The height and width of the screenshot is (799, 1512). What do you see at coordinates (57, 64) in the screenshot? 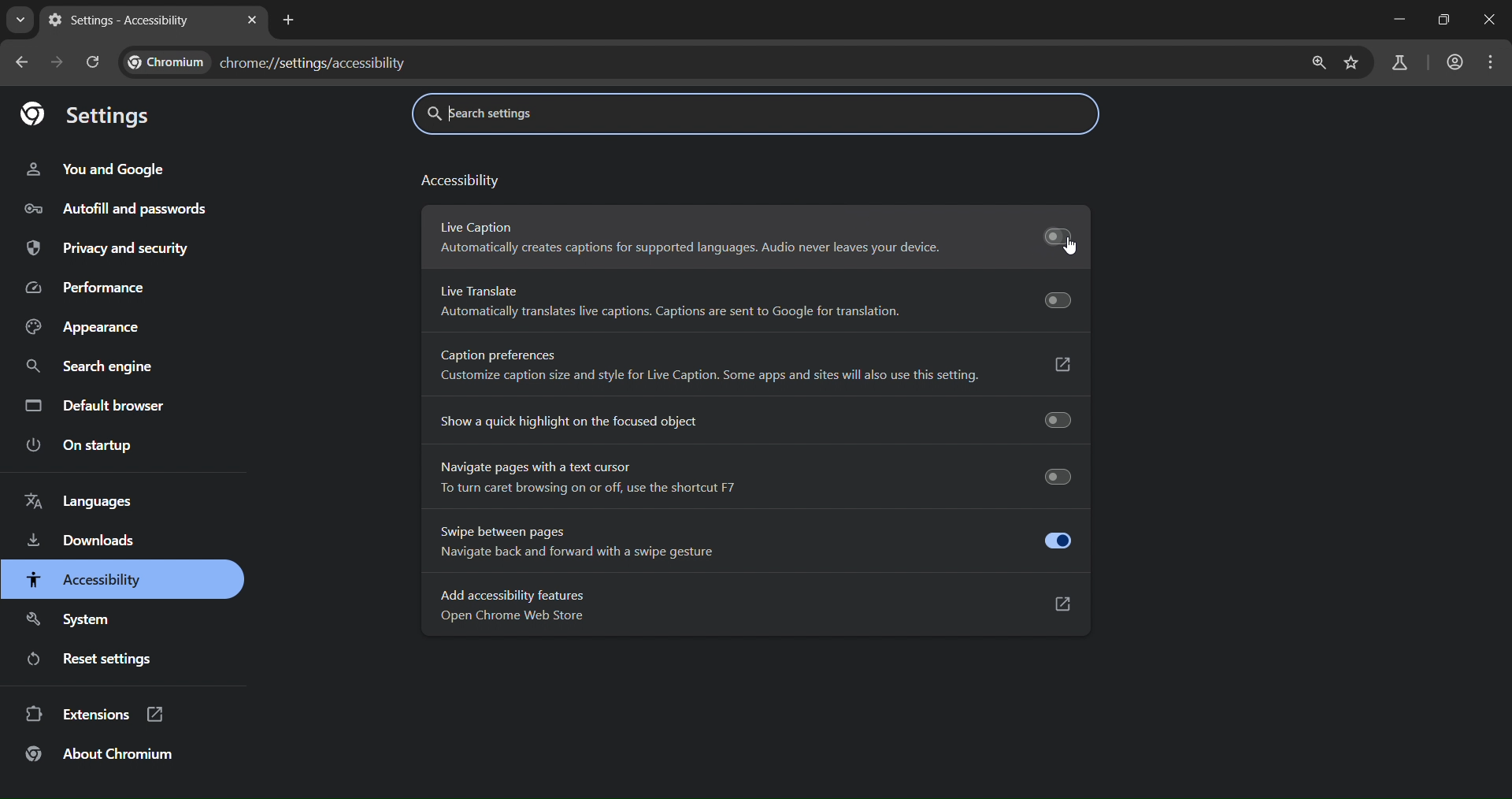
I see `go forward one page` at bounding box center [57, 64].